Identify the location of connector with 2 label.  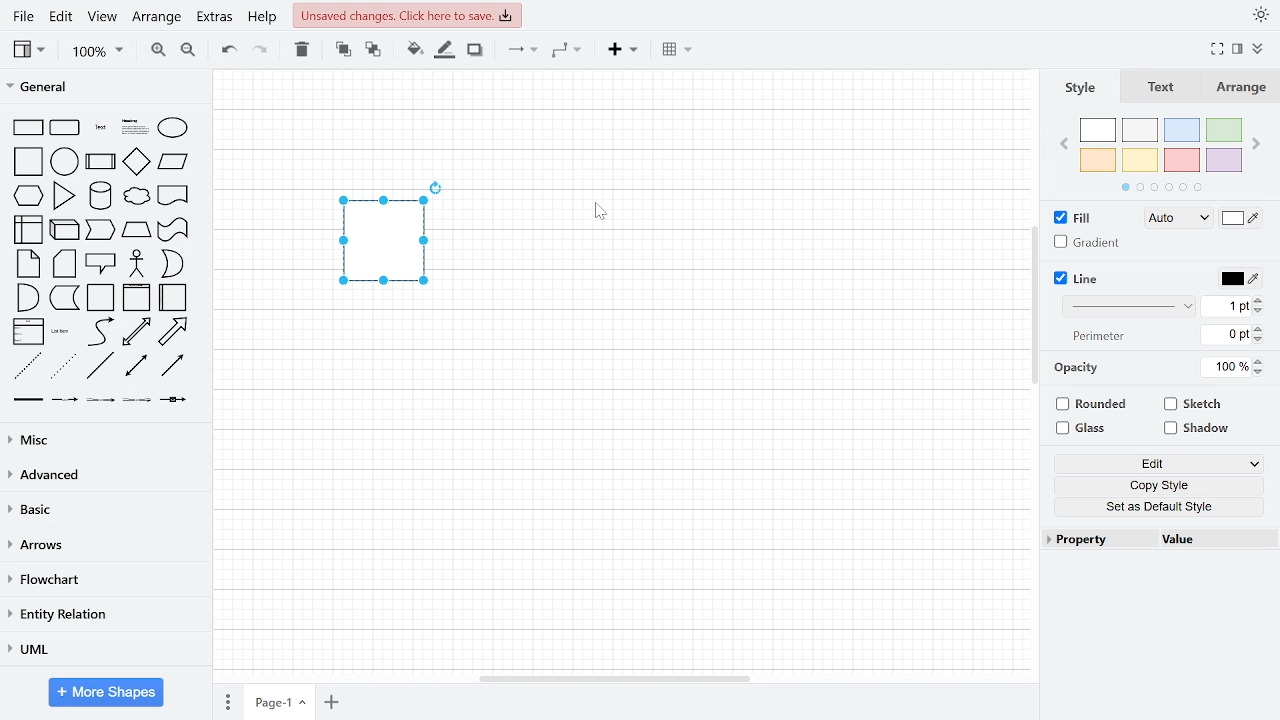
(102, 401).